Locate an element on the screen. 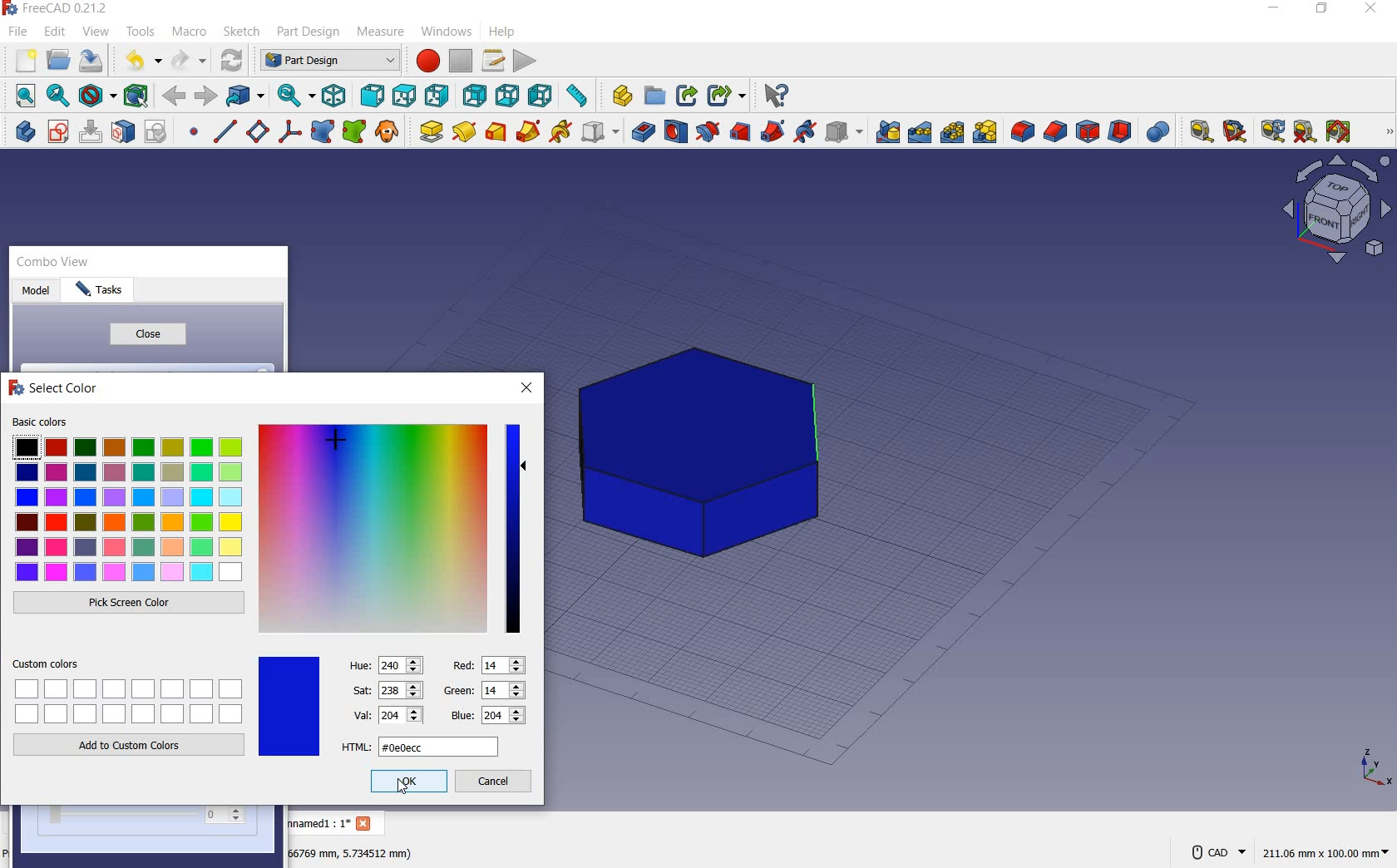 This screenshot has width=1397, height=868. Toggle all is located at coordinates (1341, 133).